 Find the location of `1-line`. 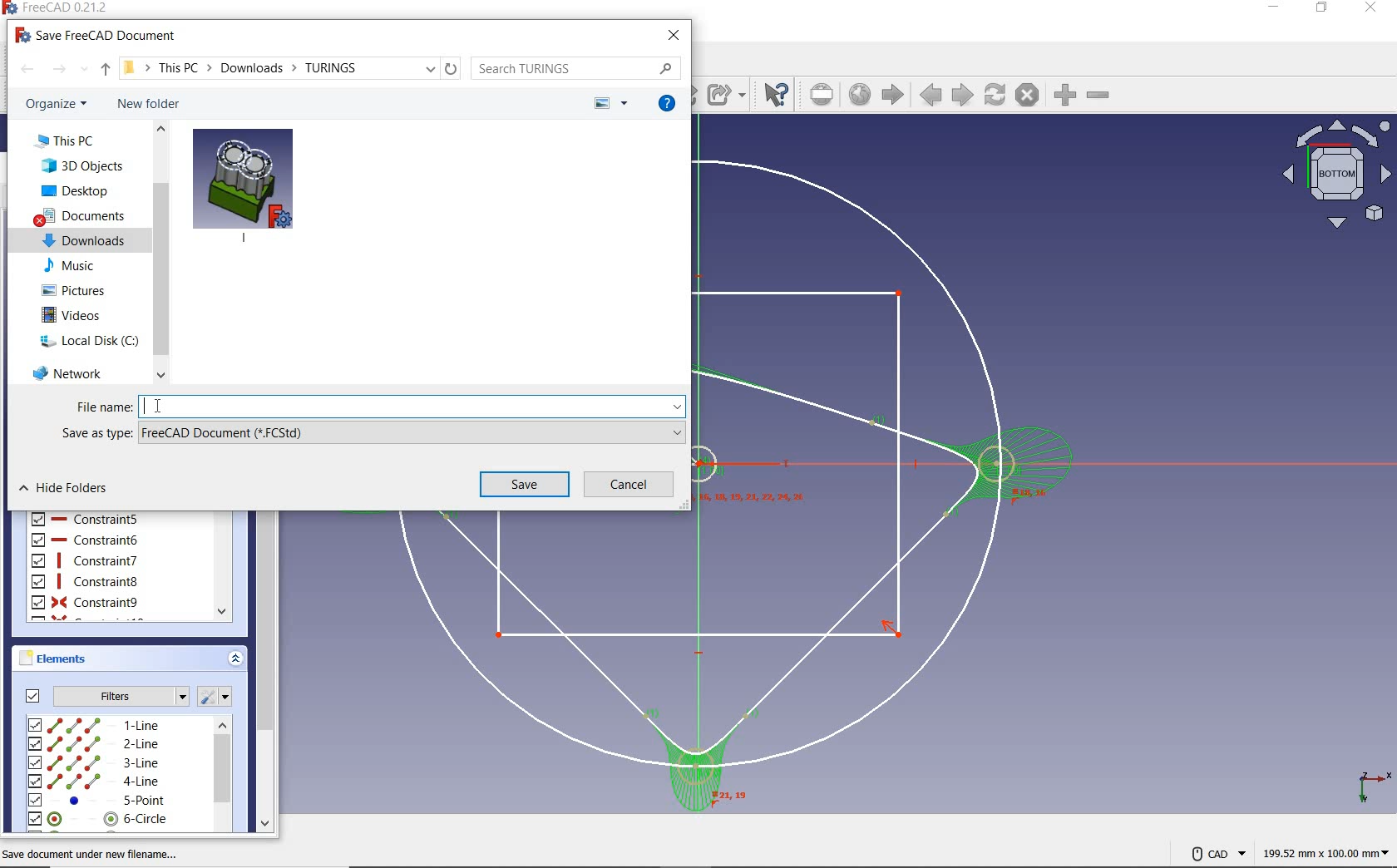

1-line is located at coordinates (95, 724).